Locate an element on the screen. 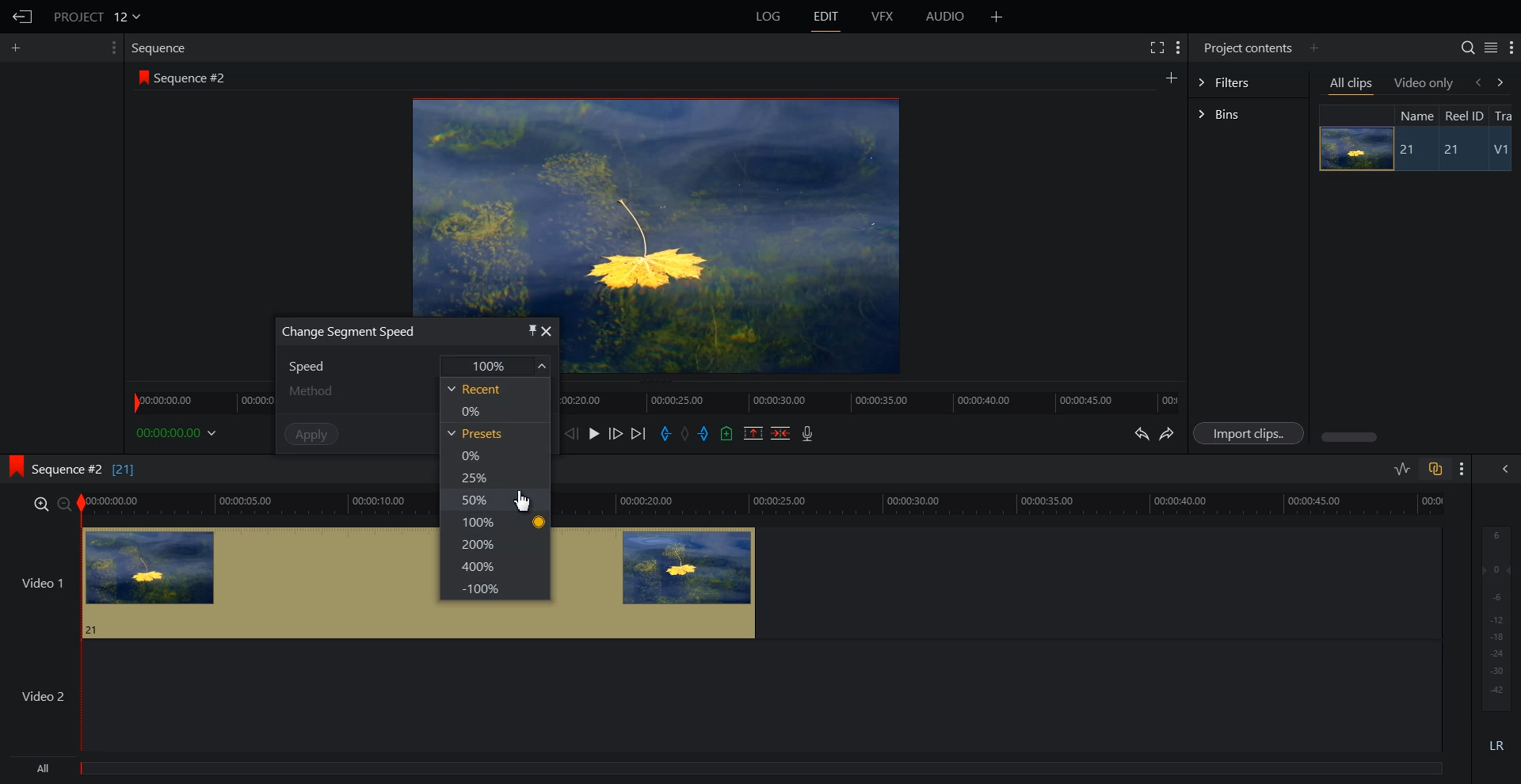 Image resolution: width=1521 pixels, height=784 pixels. logo is located at coordinates (11, 464).